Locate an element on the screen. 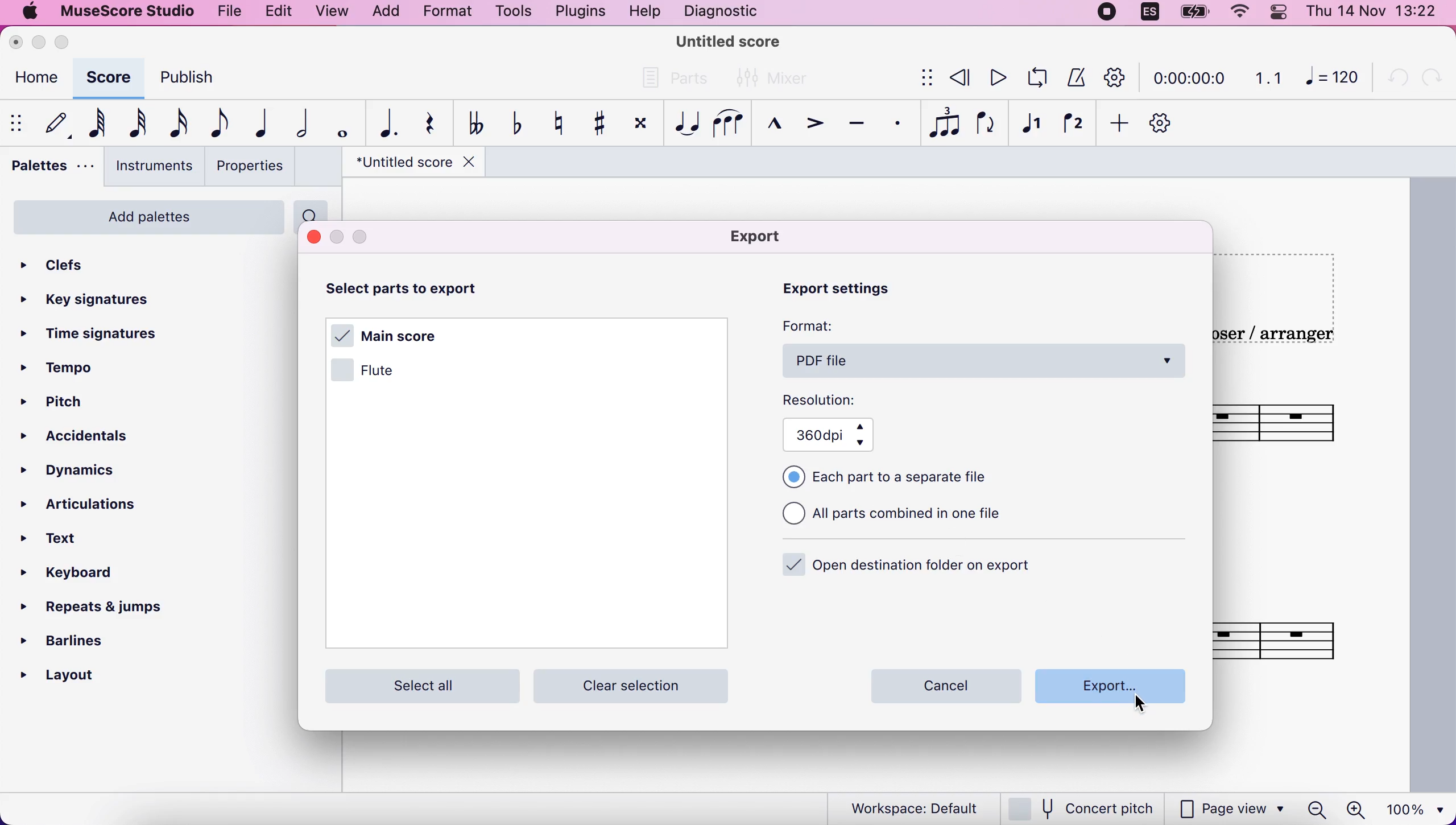 Image resolution: width=1456 pixels, height=825 pixels. 32nd note is located at coordinates (135, 122).